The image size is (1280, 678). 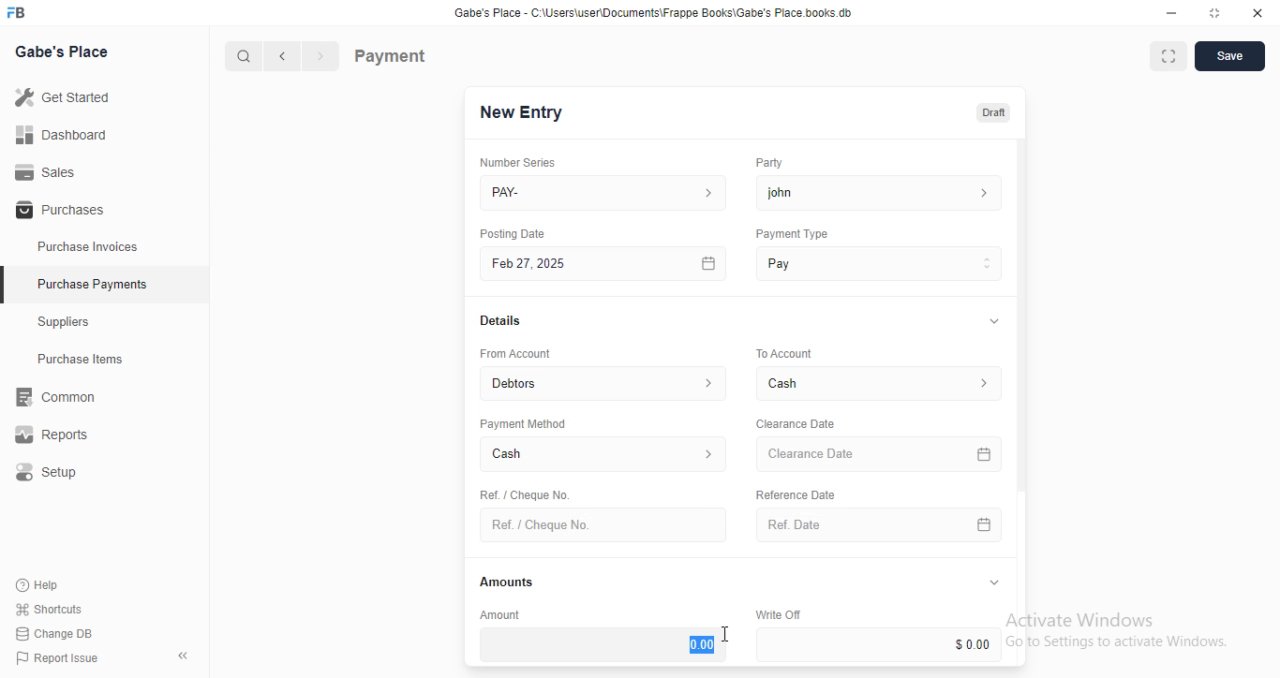 I want to click on Debtors, so click(x=605, y=382).